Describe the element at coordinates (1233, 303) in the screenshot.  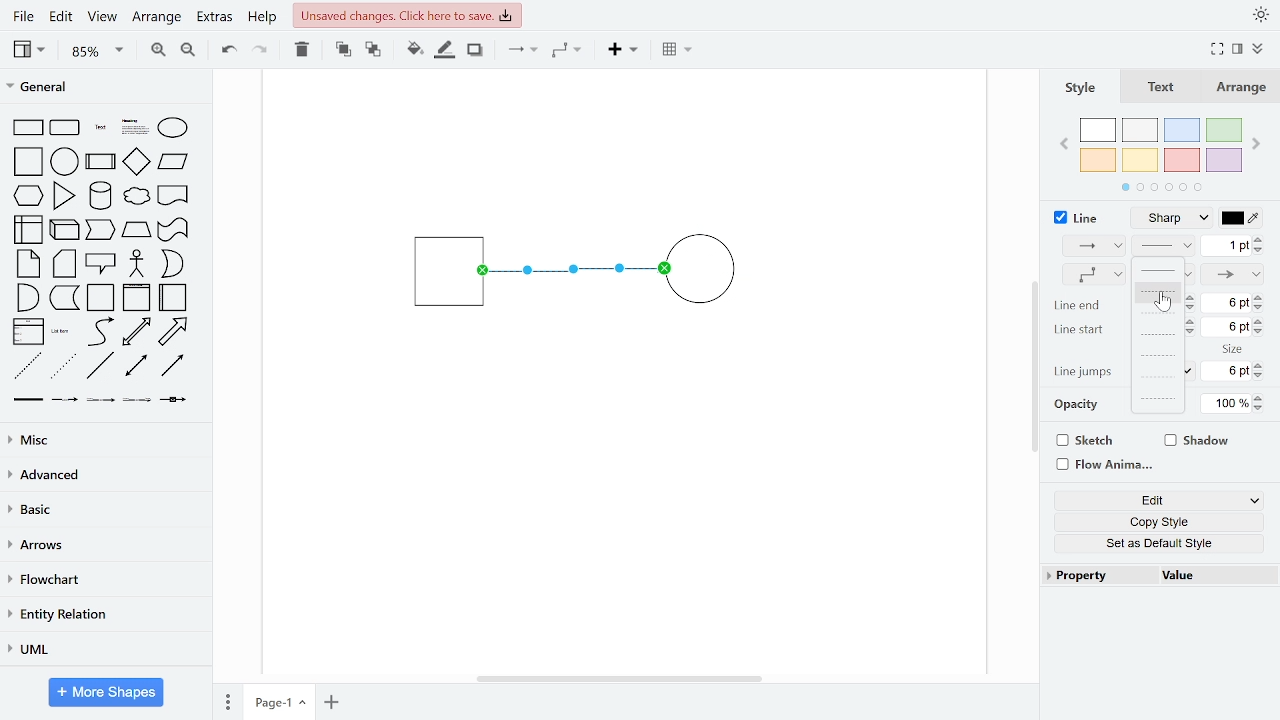
I see `change line end size` at that location.